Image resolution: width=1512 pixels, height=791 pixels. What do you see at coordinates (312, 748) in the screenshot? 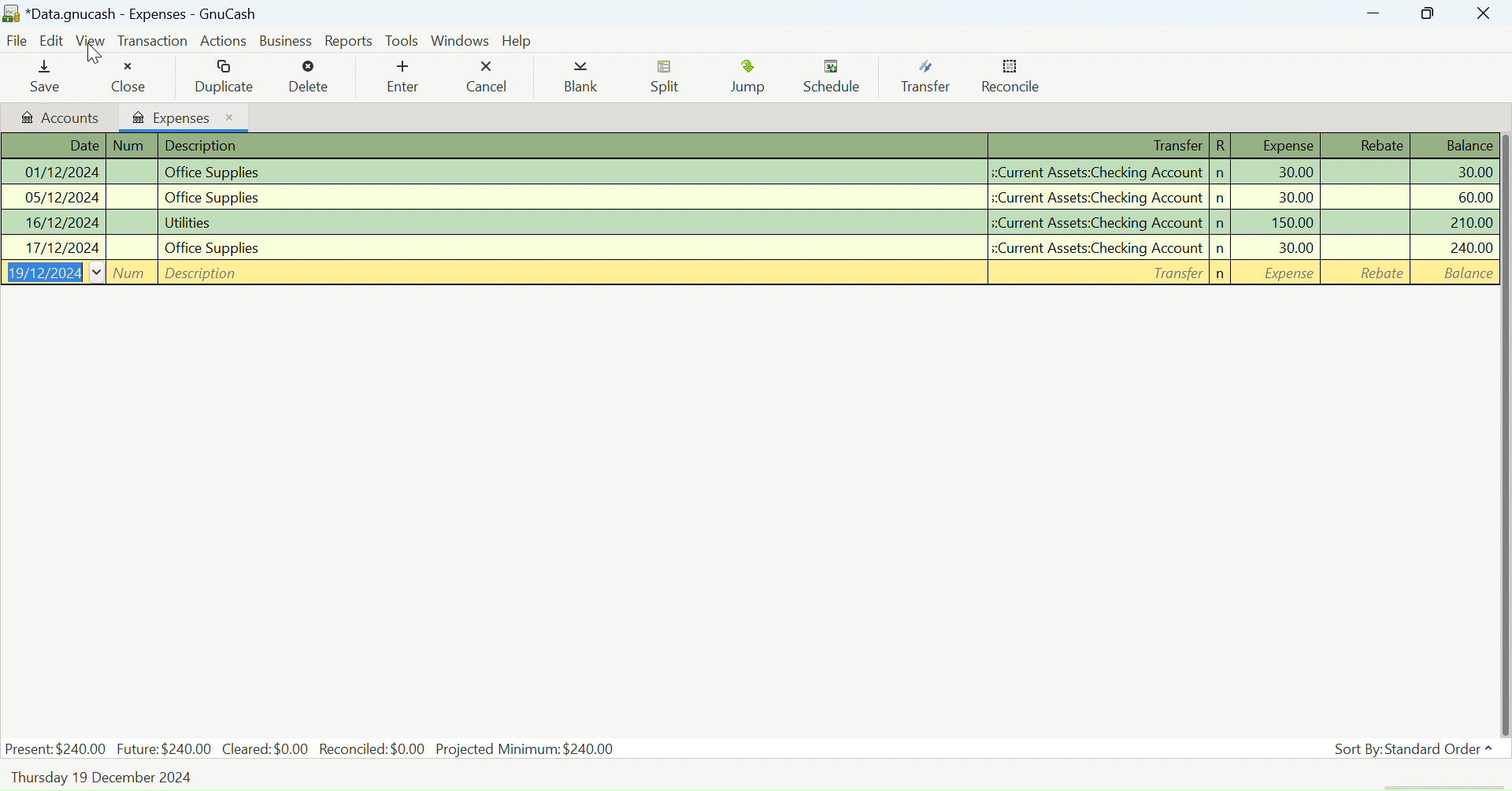
I see `Present: $240.00 Future:$240.00 Cleared: $0.00 Reconciled: $0.00 Projected Minimum: $240.00` at bounding box center [312, 748].